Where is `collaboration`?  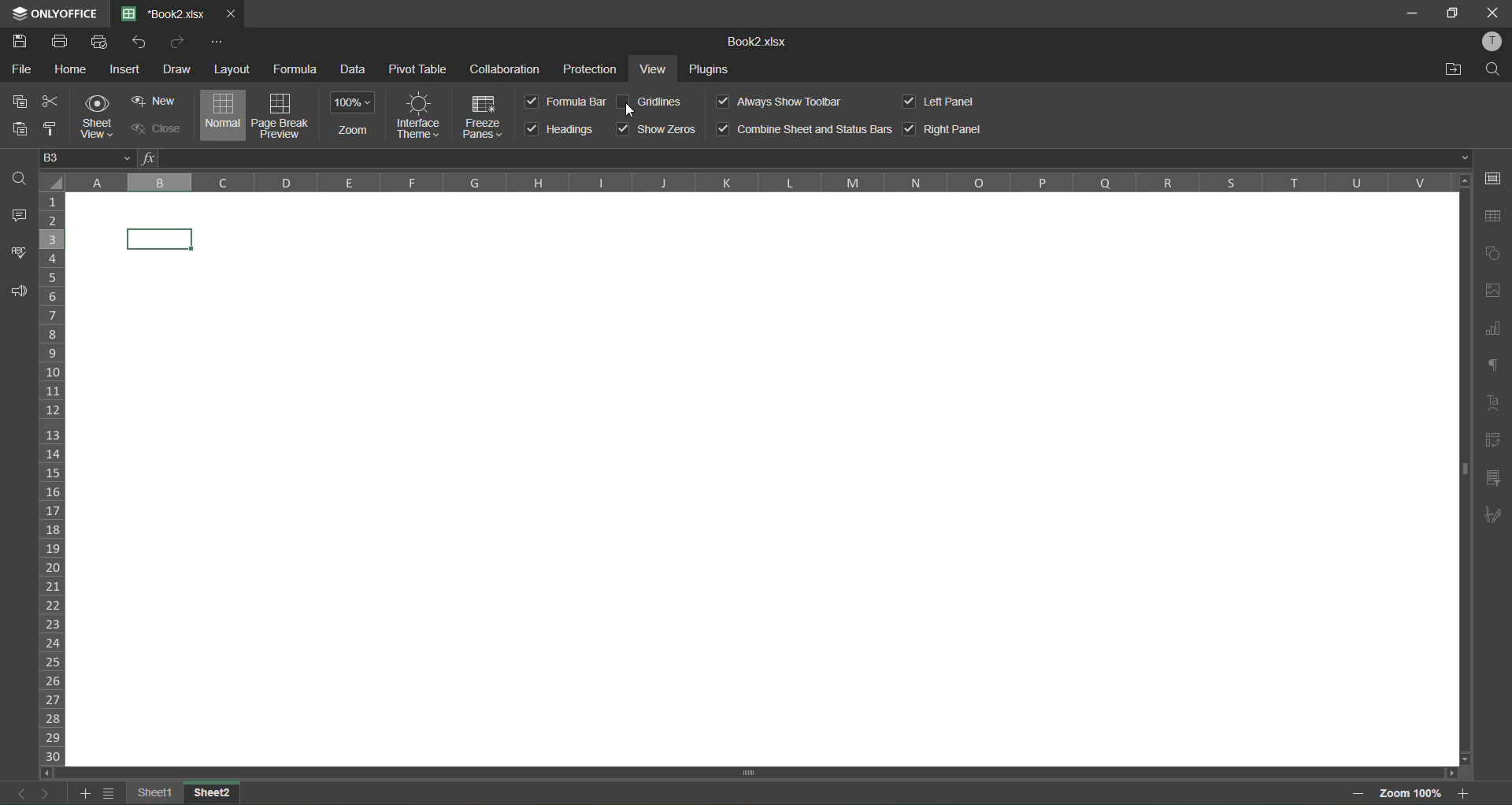
collaboration is located at coordinates (506, 69).